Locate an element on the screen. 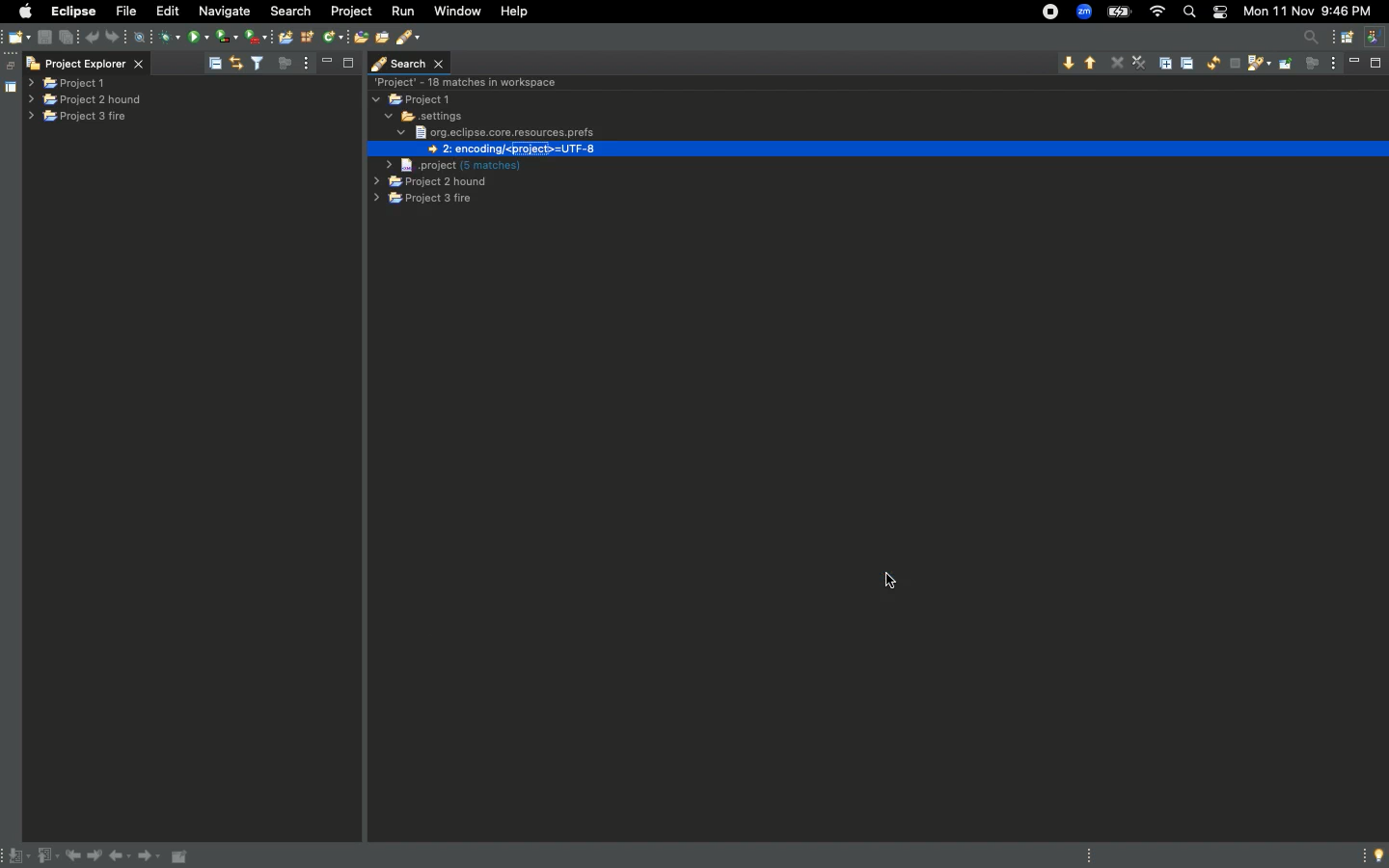  Window is located at coordinates (458, 12).